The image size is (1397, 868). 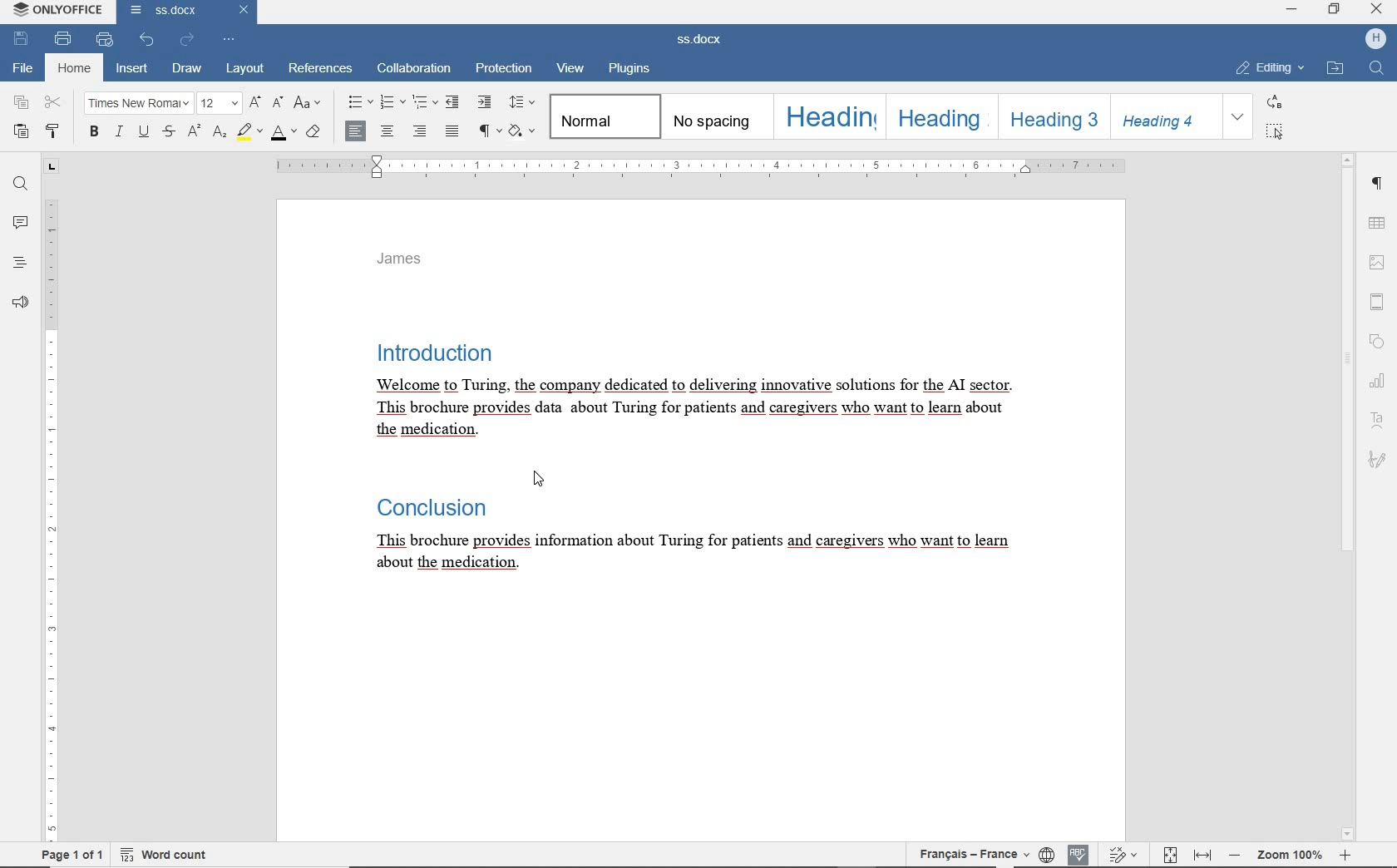 What do you see at coordinates (523, 131) in the screenshot?
I see `SHADING` at bounding box center [523, 131].